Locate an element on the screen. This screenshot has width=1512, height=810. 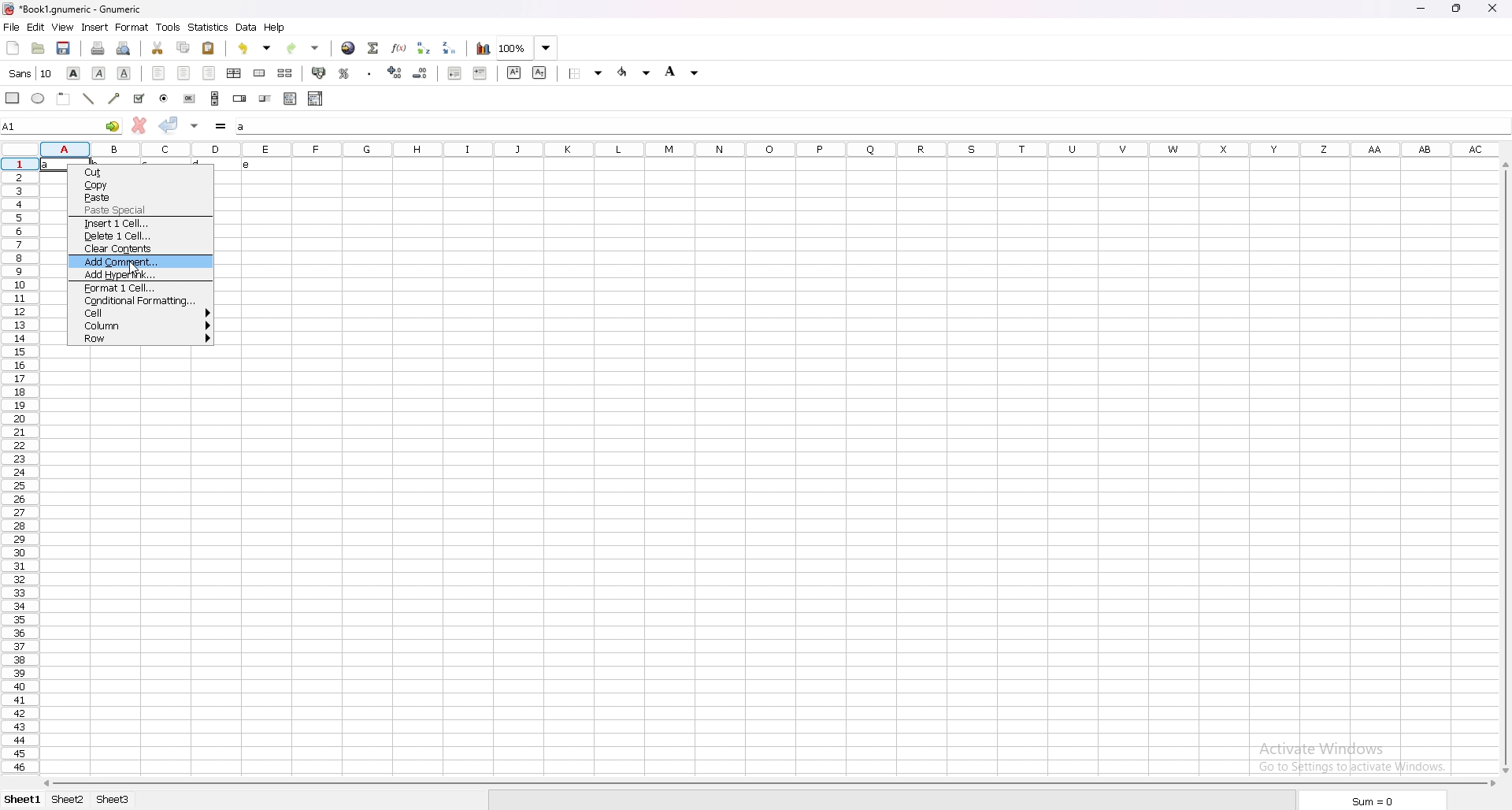
percentage is located at coordinates (345, 73).